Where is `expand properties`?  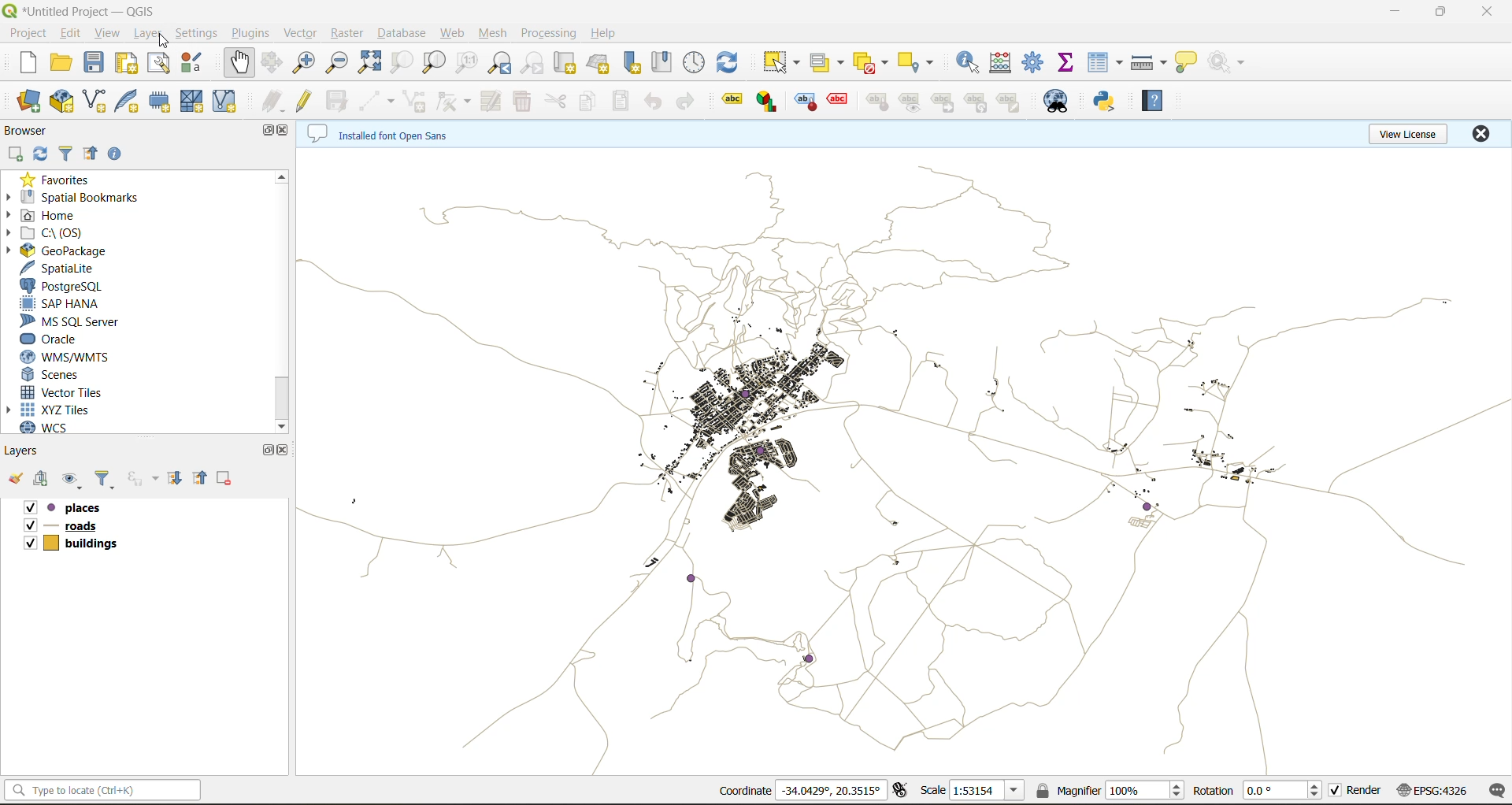
expand properties is located at coordinates (117, 156).